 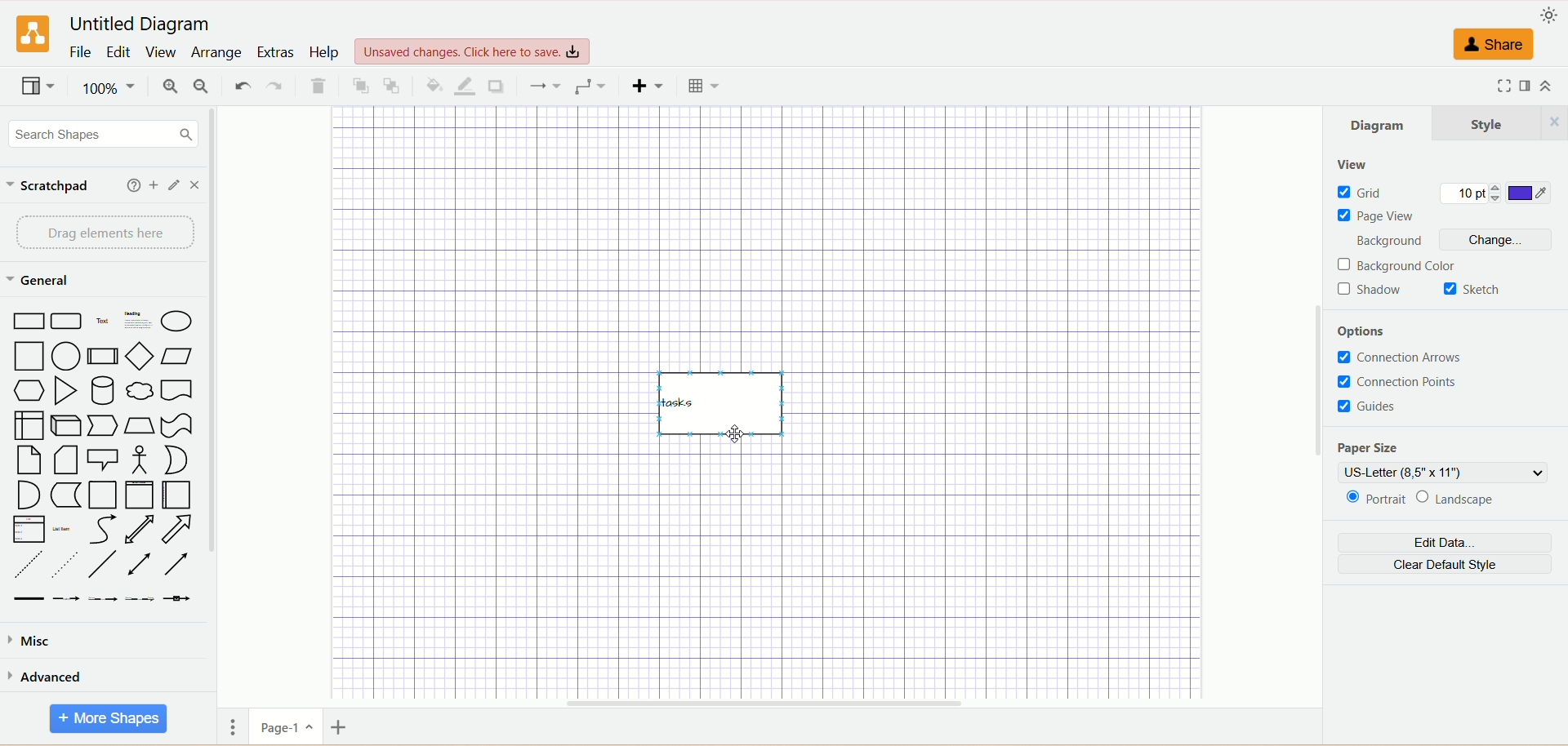 What do you see at coordinates (1459, 500) in the screenshot?
I see `landscape` at bounding box center [1459, 500].